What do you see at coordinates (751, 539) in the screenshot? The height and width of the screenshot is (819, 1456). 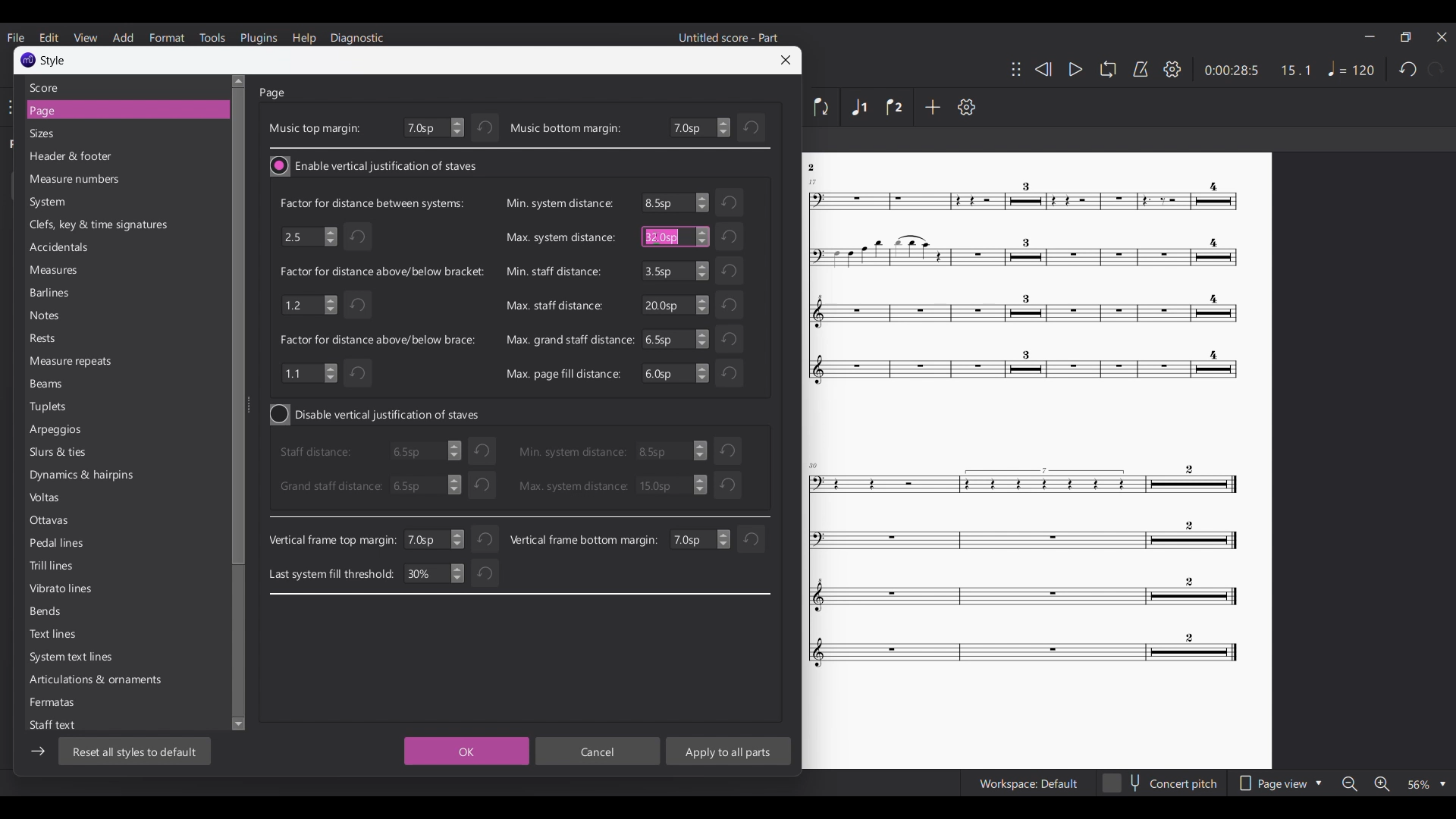 I see `reset` at bounding box center [751, 539].